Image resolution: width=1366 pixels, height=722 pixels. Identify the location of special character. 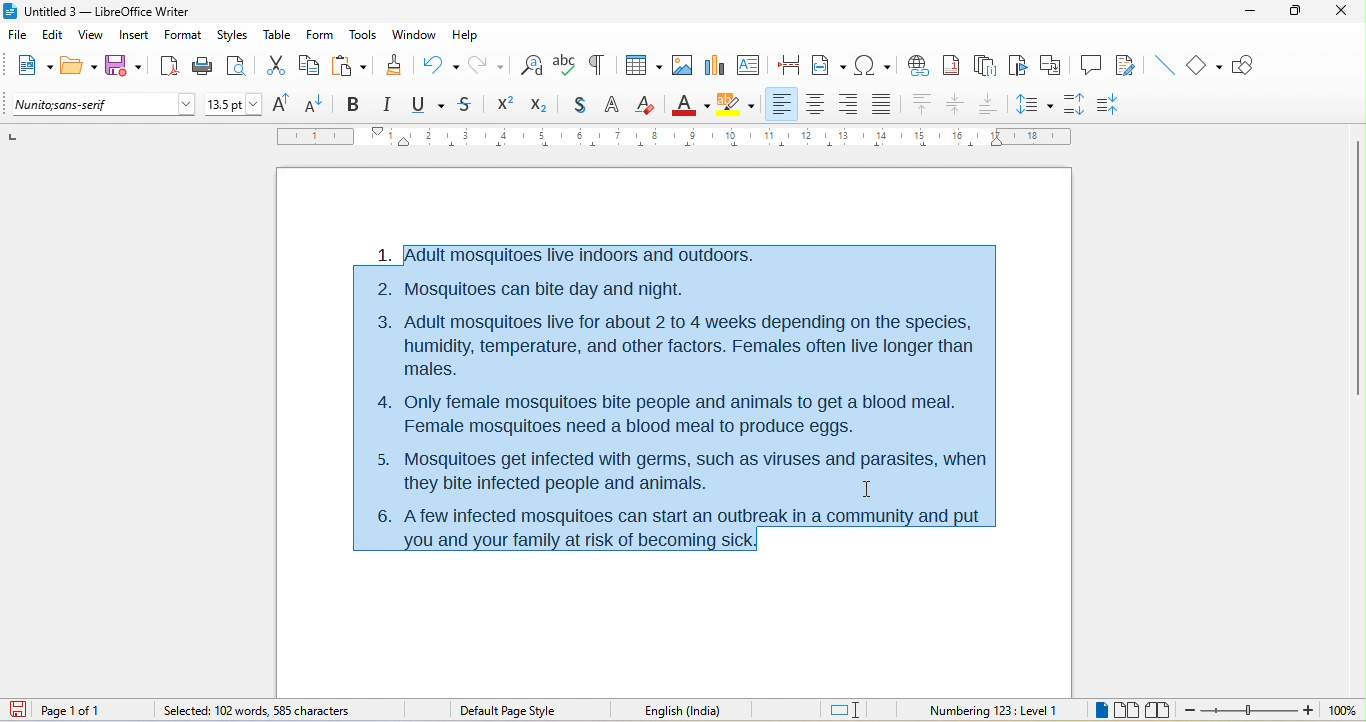
(873, 65).